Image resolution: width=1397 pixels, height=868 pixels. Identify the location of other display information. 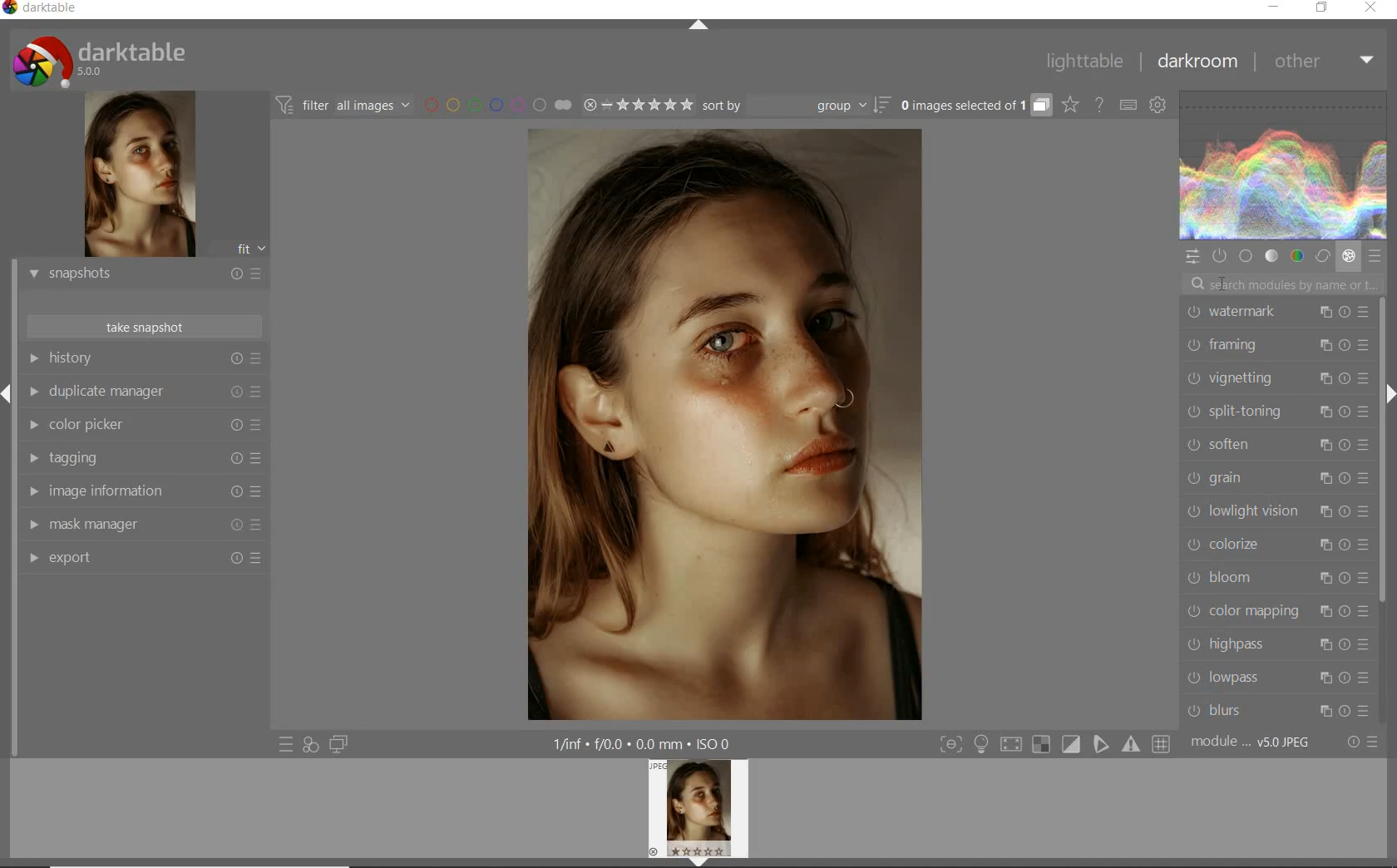
(644, 743).